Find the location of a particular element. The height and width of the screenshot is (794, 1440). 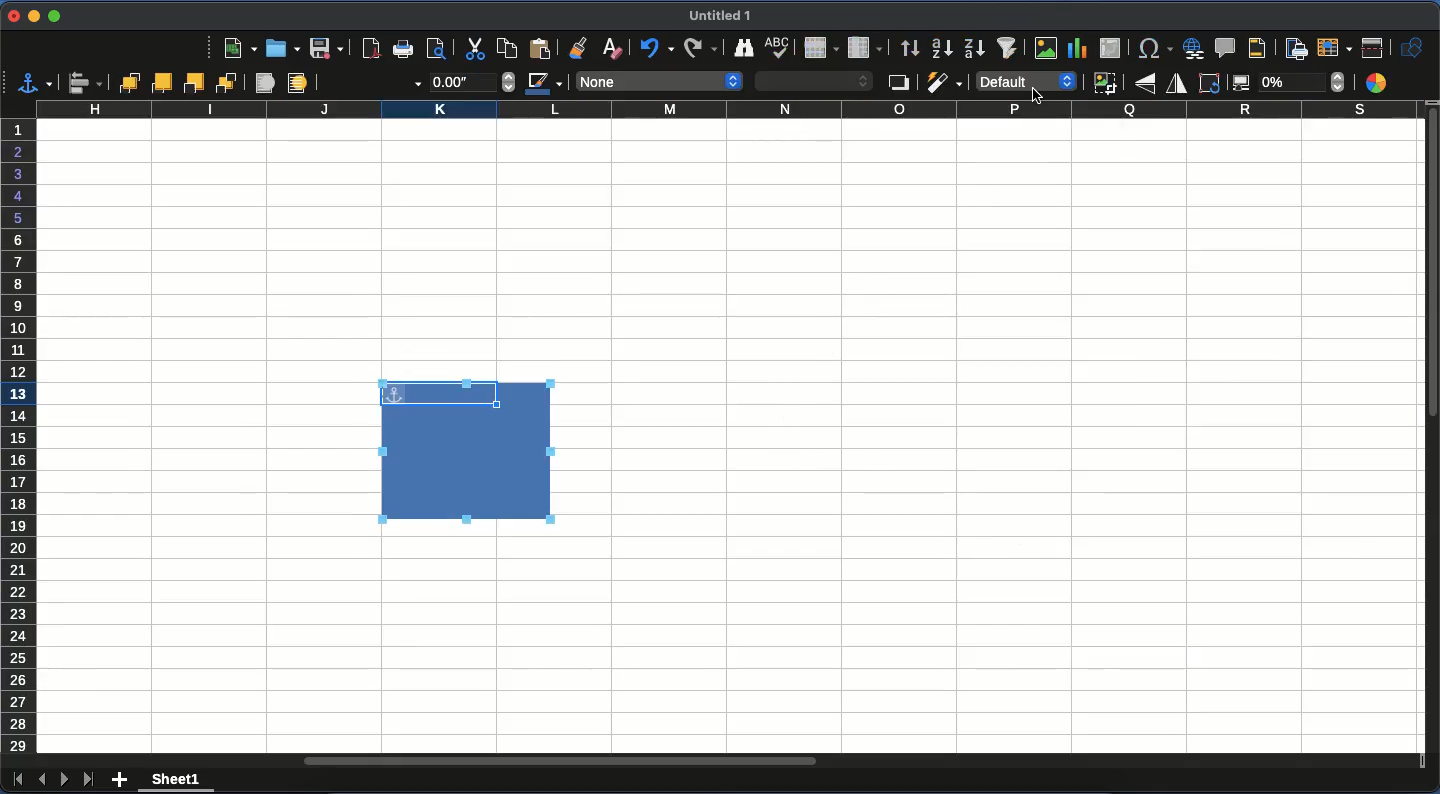

send to back is located at coordinates (228, 83).